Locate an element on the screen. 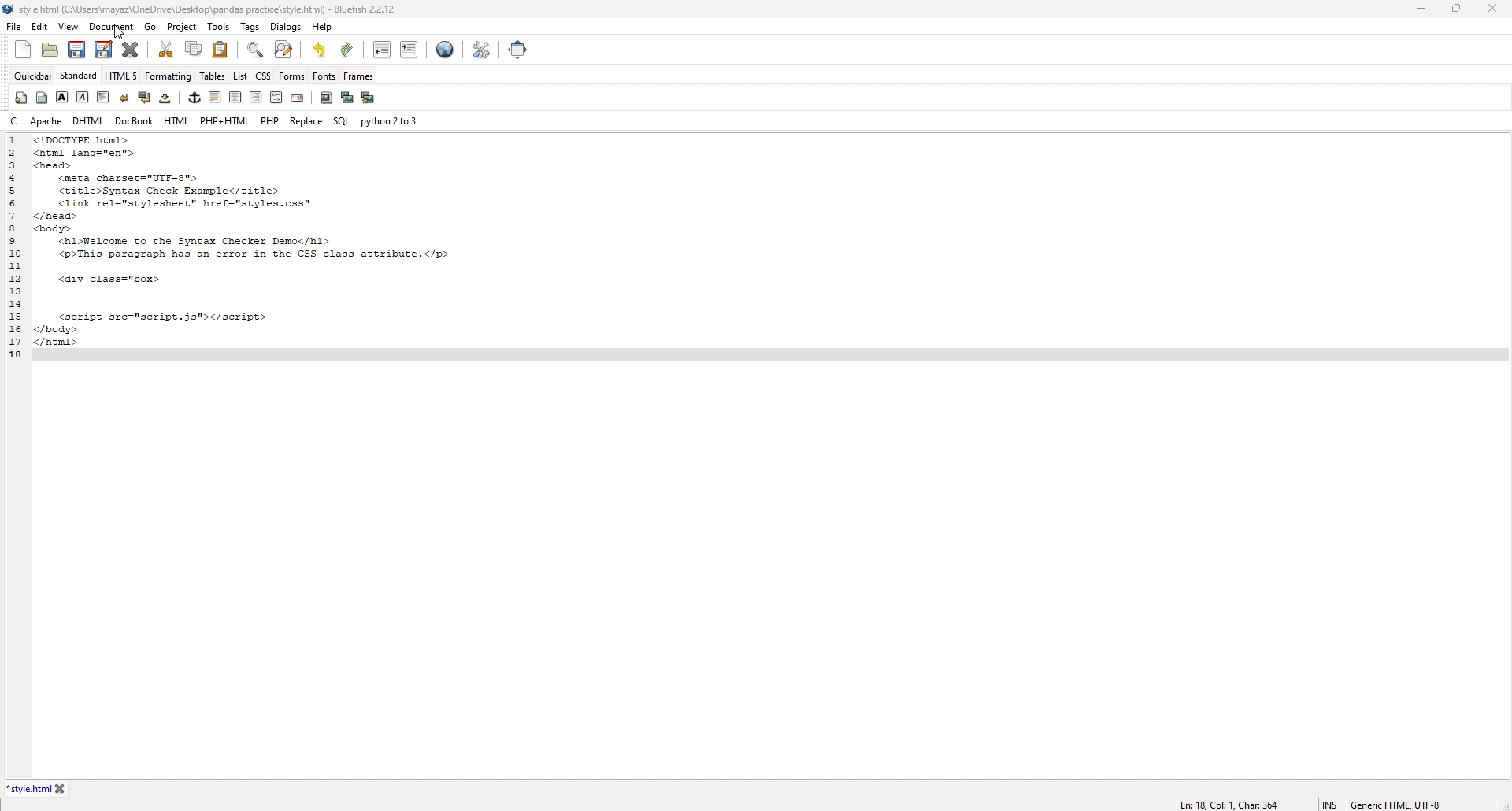 The width and height of the screenshot is (1512, 811). docbook is located at coordinates (134, 122).